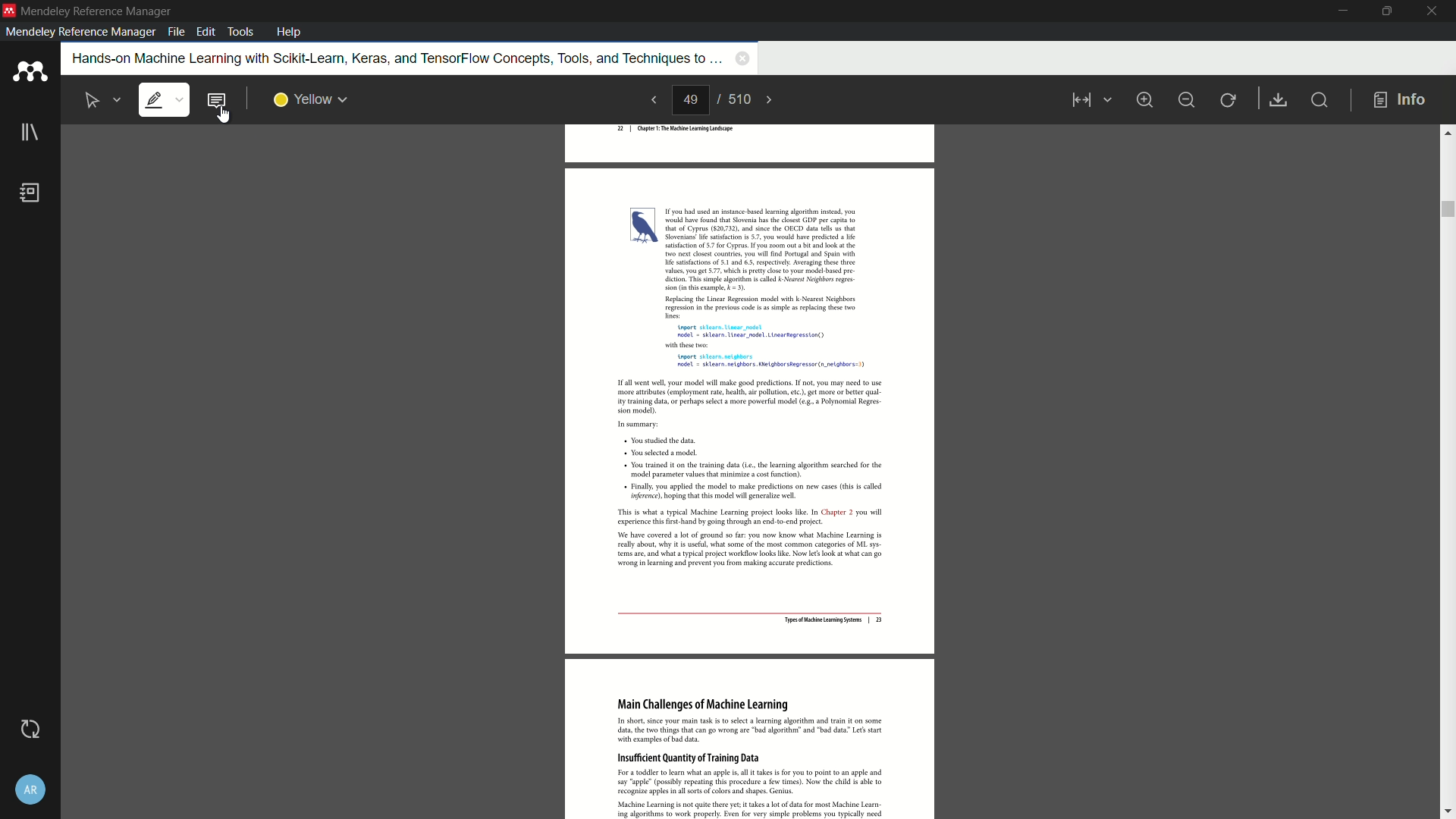  What do you see at coordinates (104, 99) in the screenshot?
I see `select` at bounding box center [104, 99].